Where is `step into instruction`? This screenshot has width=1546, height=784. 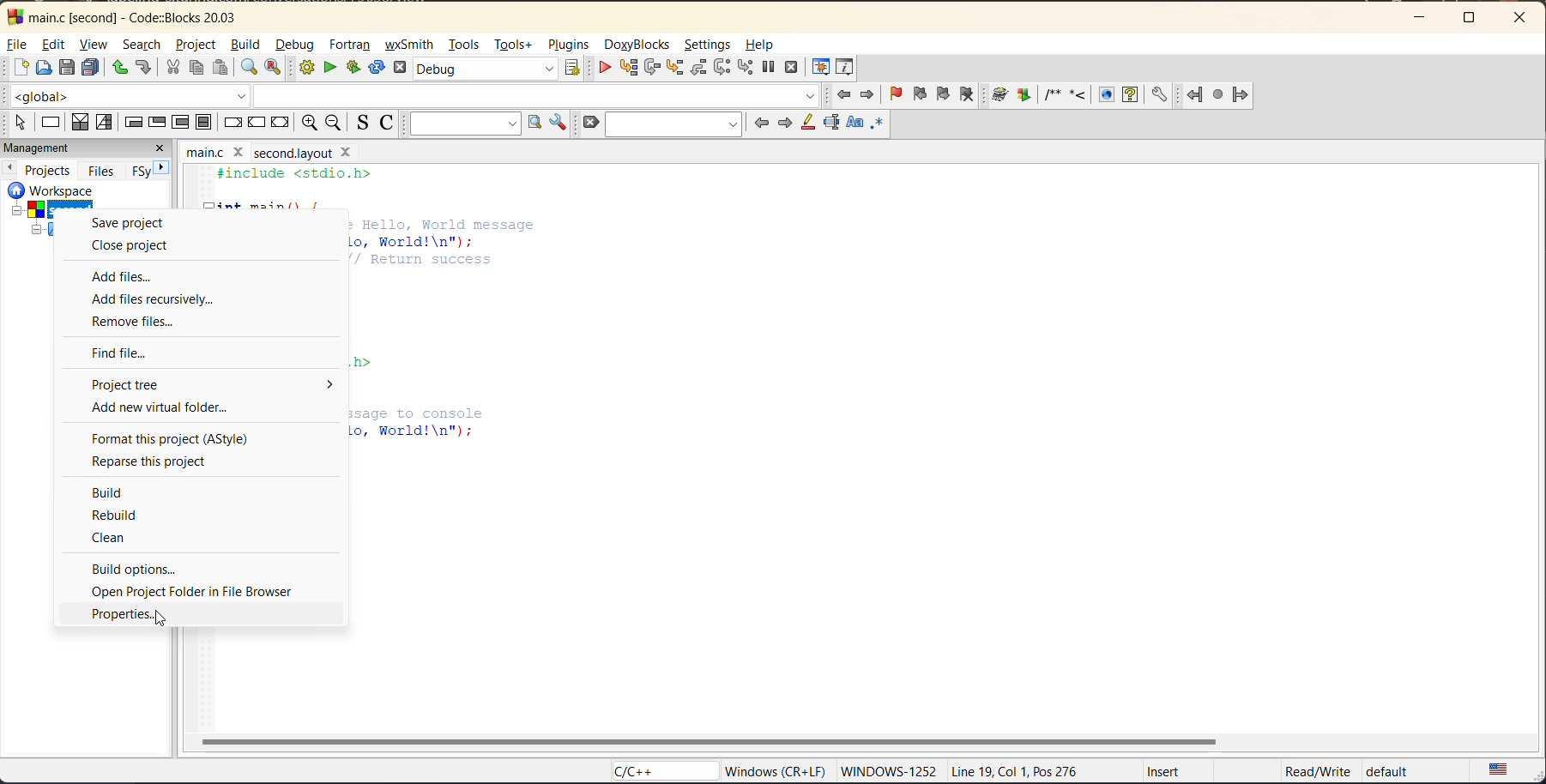 step into instruction is located at coordinates (745, 69).